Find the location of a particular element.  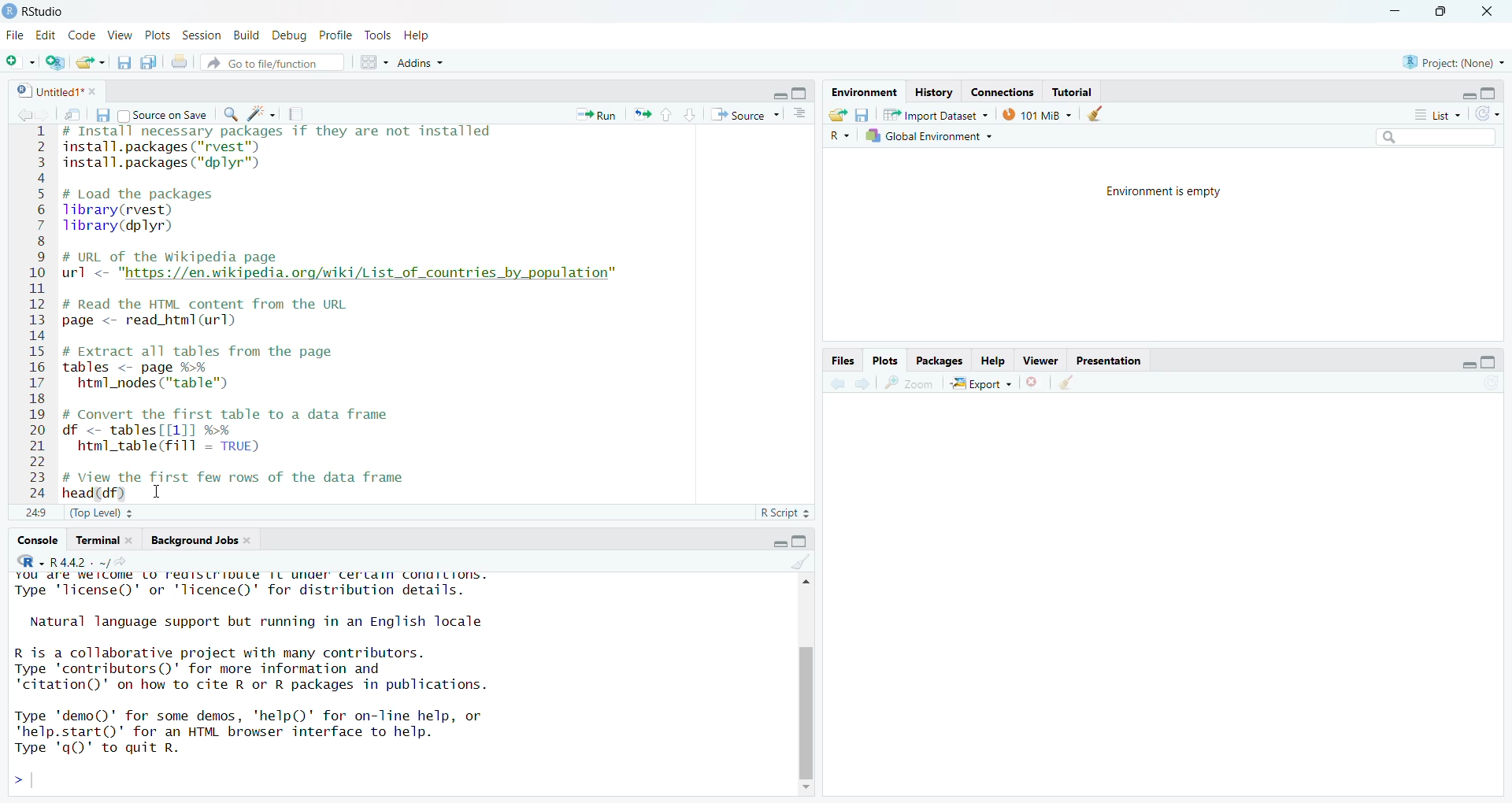

close is located at coordinates (1033, 382).